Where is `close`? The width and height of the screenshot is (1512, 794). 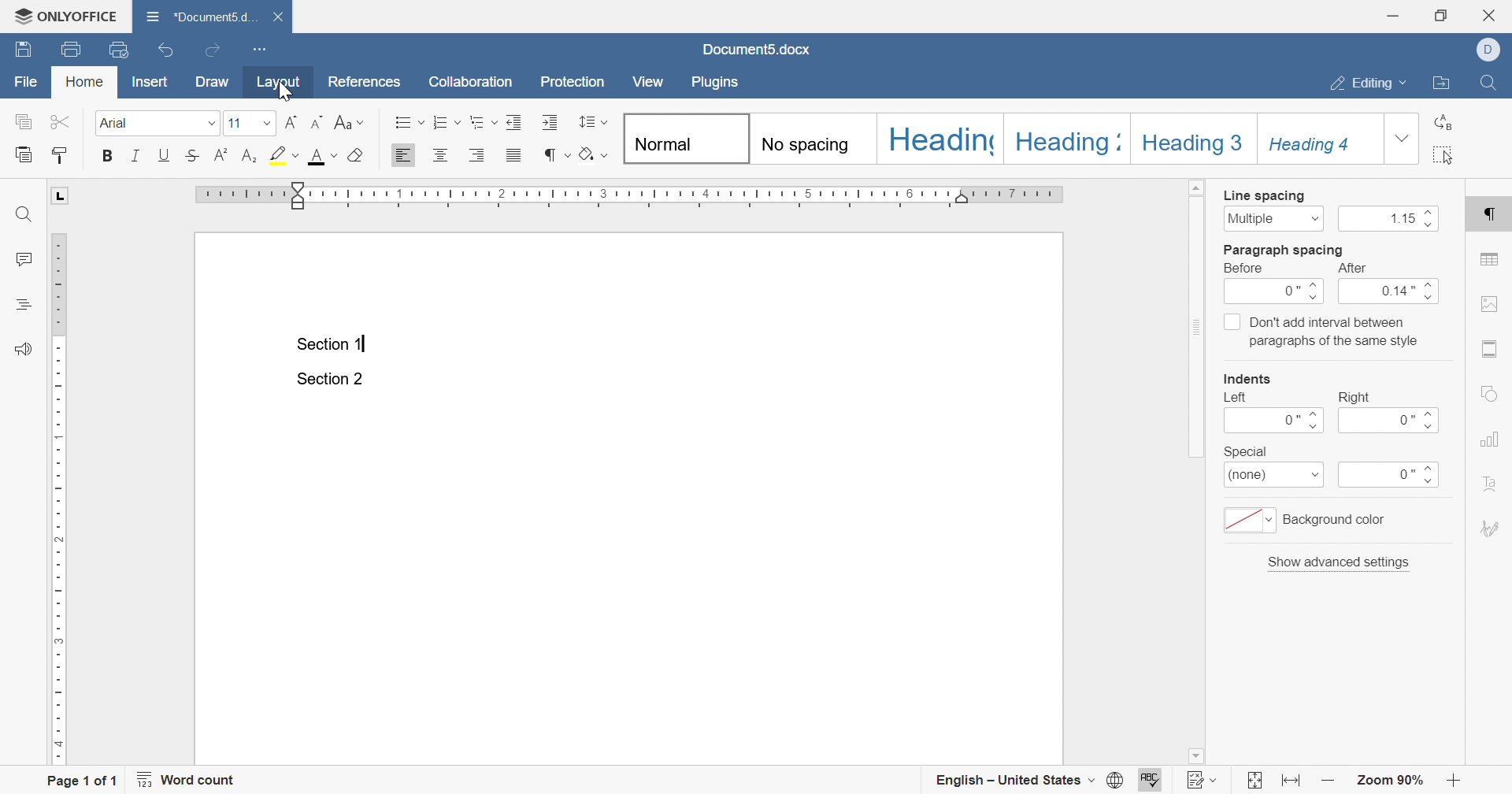
close is located at coordinates (1492, 15).